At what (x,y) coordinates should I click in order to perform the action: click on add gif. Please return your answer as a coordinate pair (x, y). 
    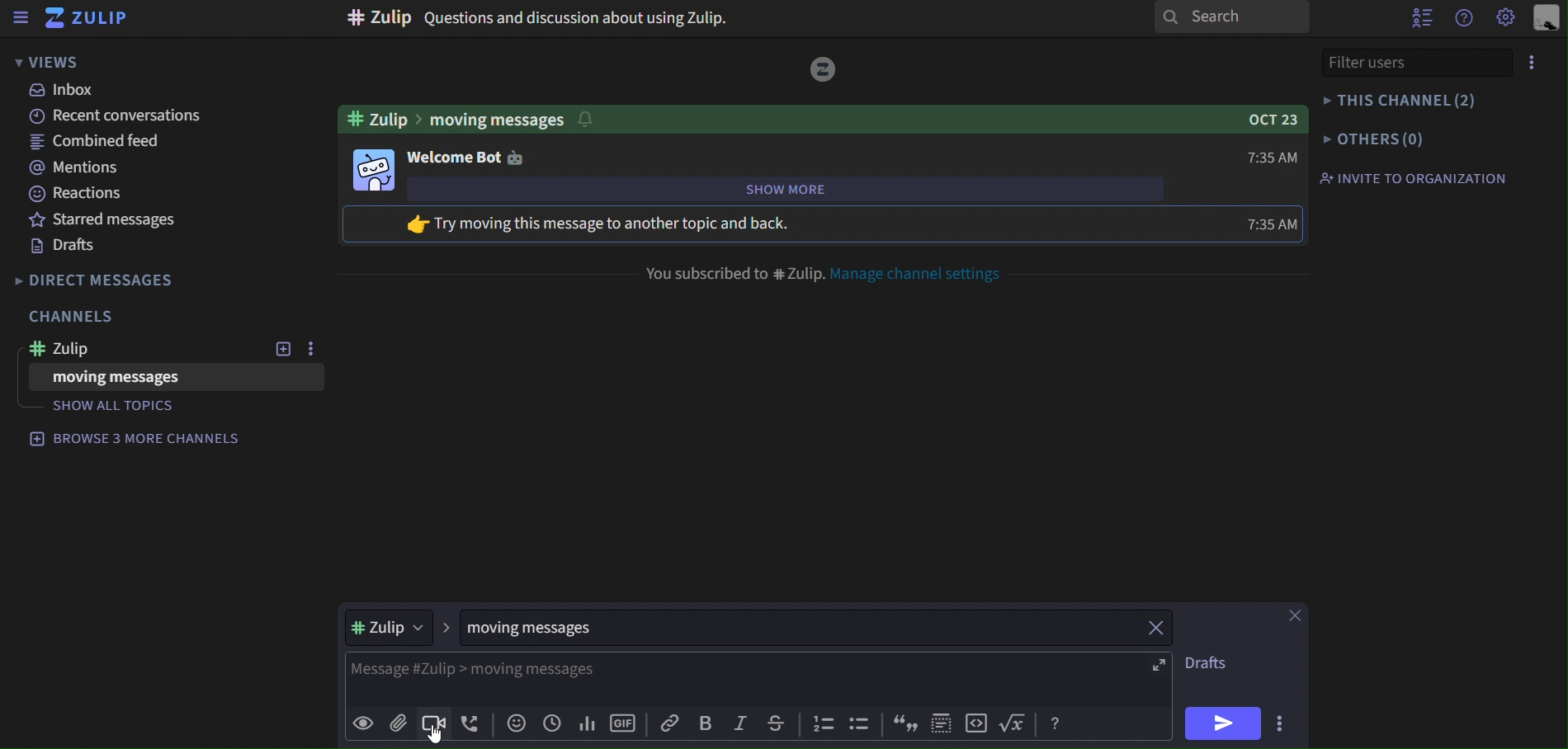
    Looking at the image, I should click on (623, 725).